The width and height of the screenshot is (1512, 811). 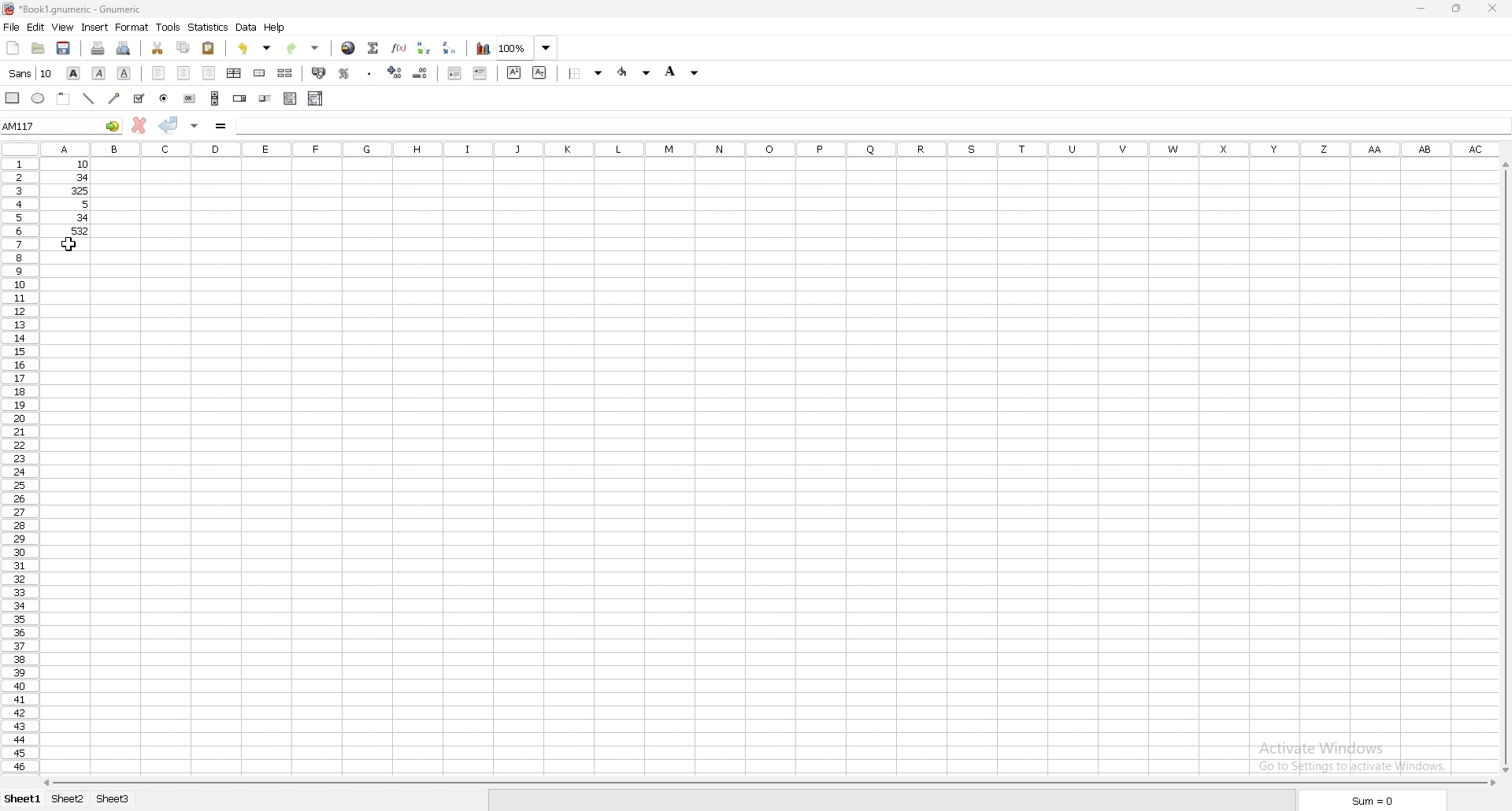 What do you see at coordinates (98, 47) in the screenshot?
I see `print` at bounding box center [98, 47].